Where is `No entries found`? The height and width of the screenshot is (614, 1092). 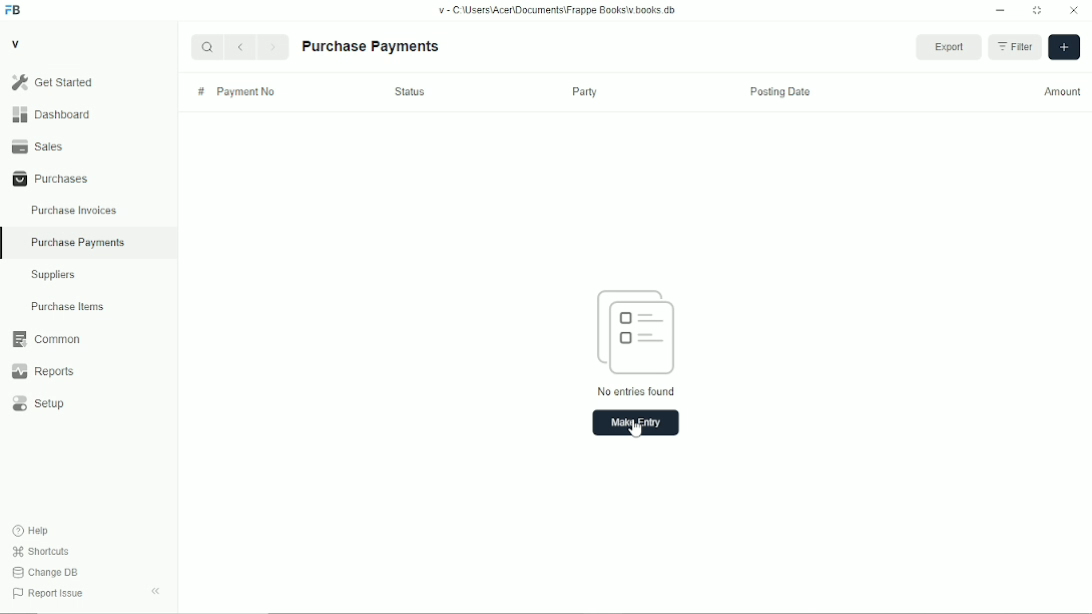 No entries found is located at coordinates (636, 391).